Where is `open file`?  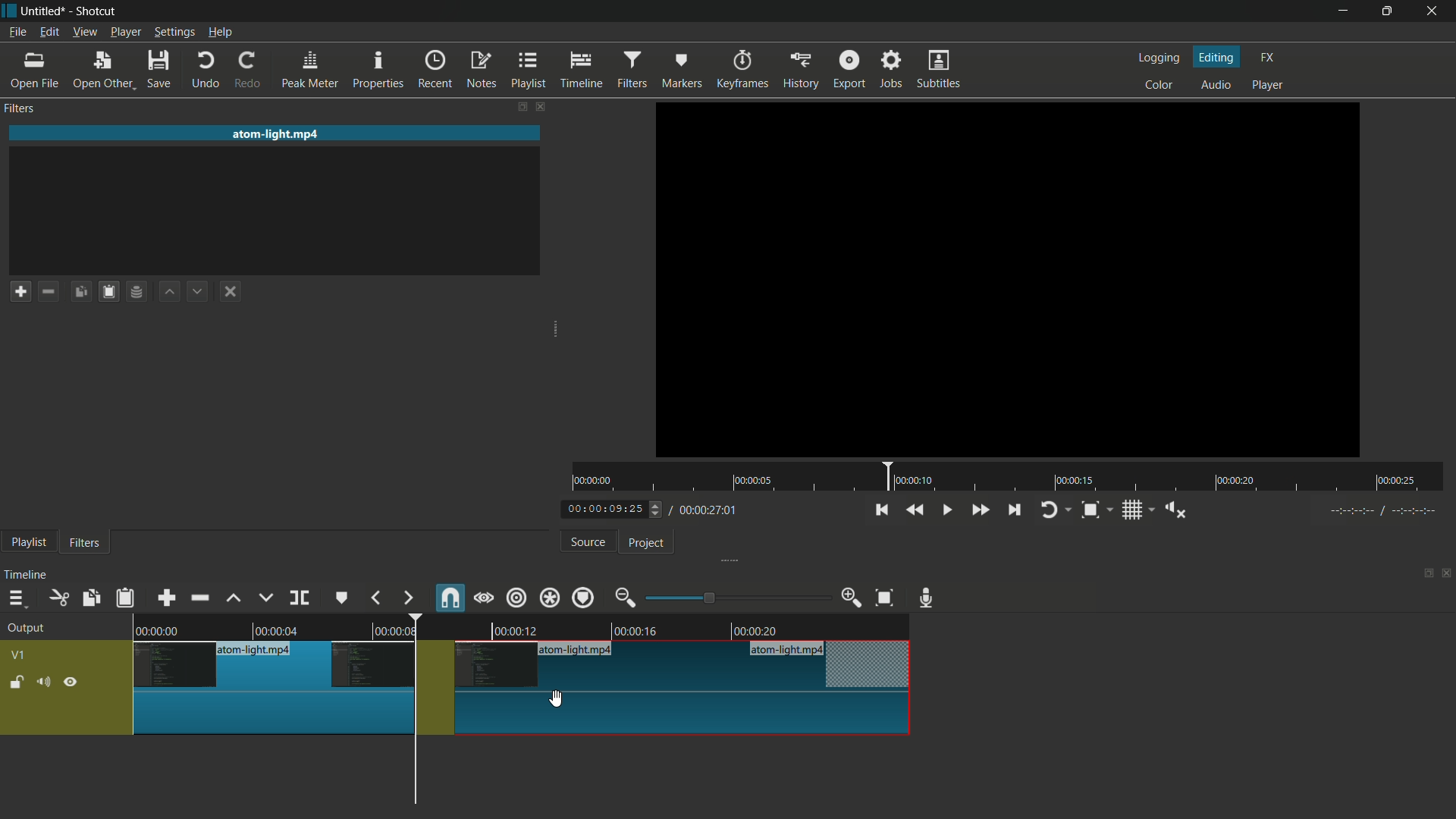 open file is located at coordinates (34, 71).